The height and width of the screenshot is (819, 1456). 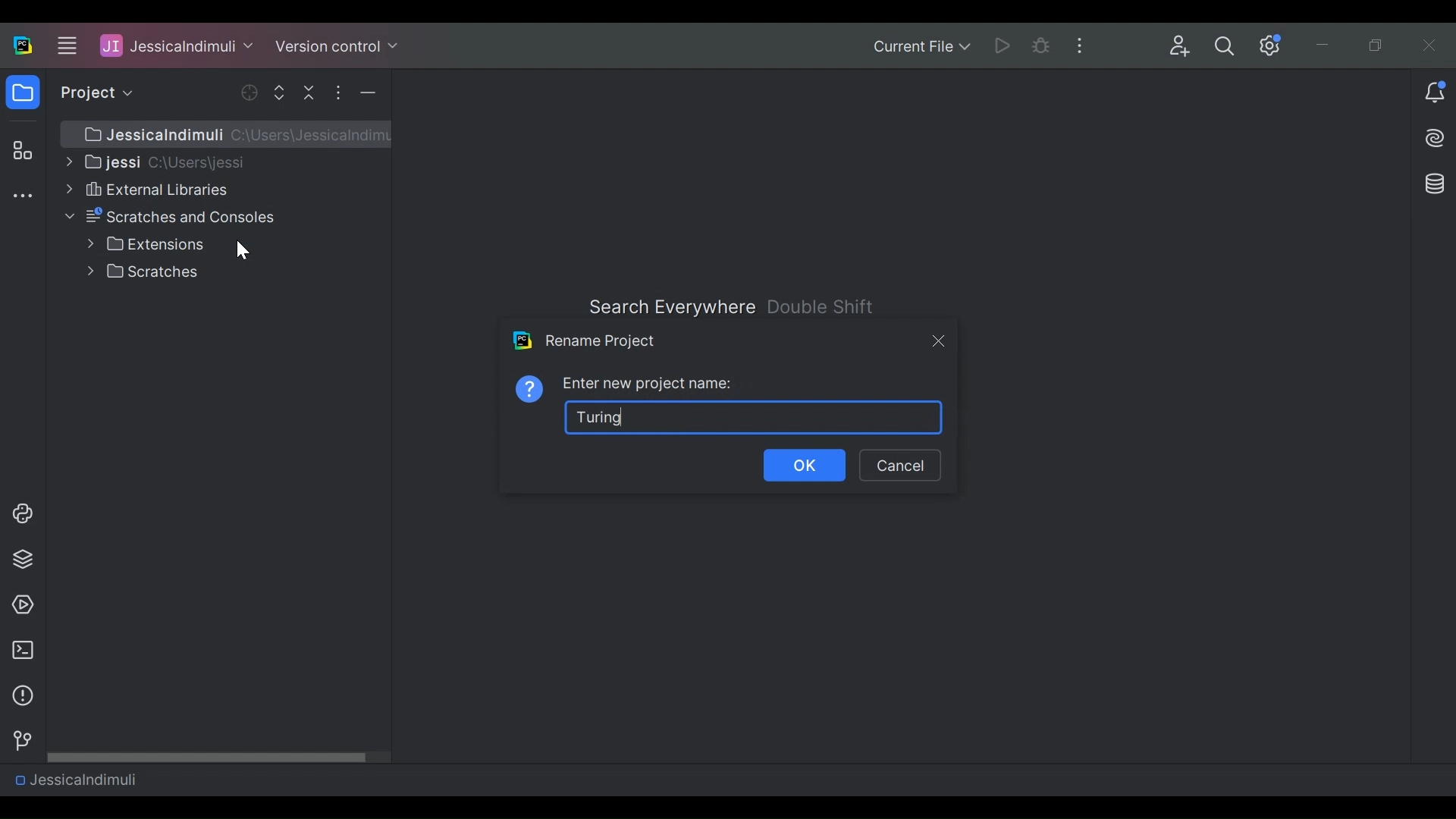 I want to click on project view, so click(x=93, y=93).